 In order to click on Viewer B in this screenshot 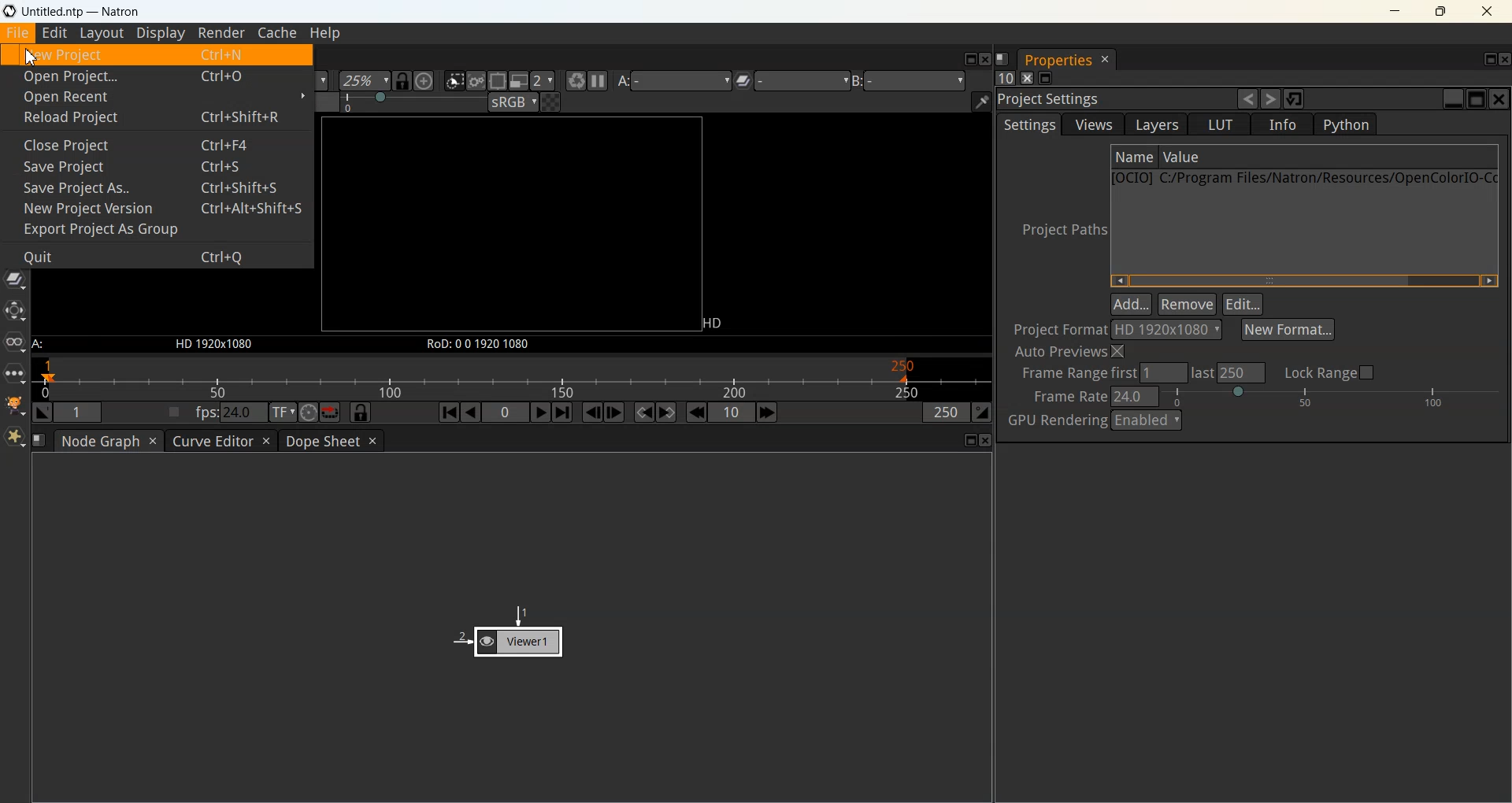, I will do `click(914, 80)`.